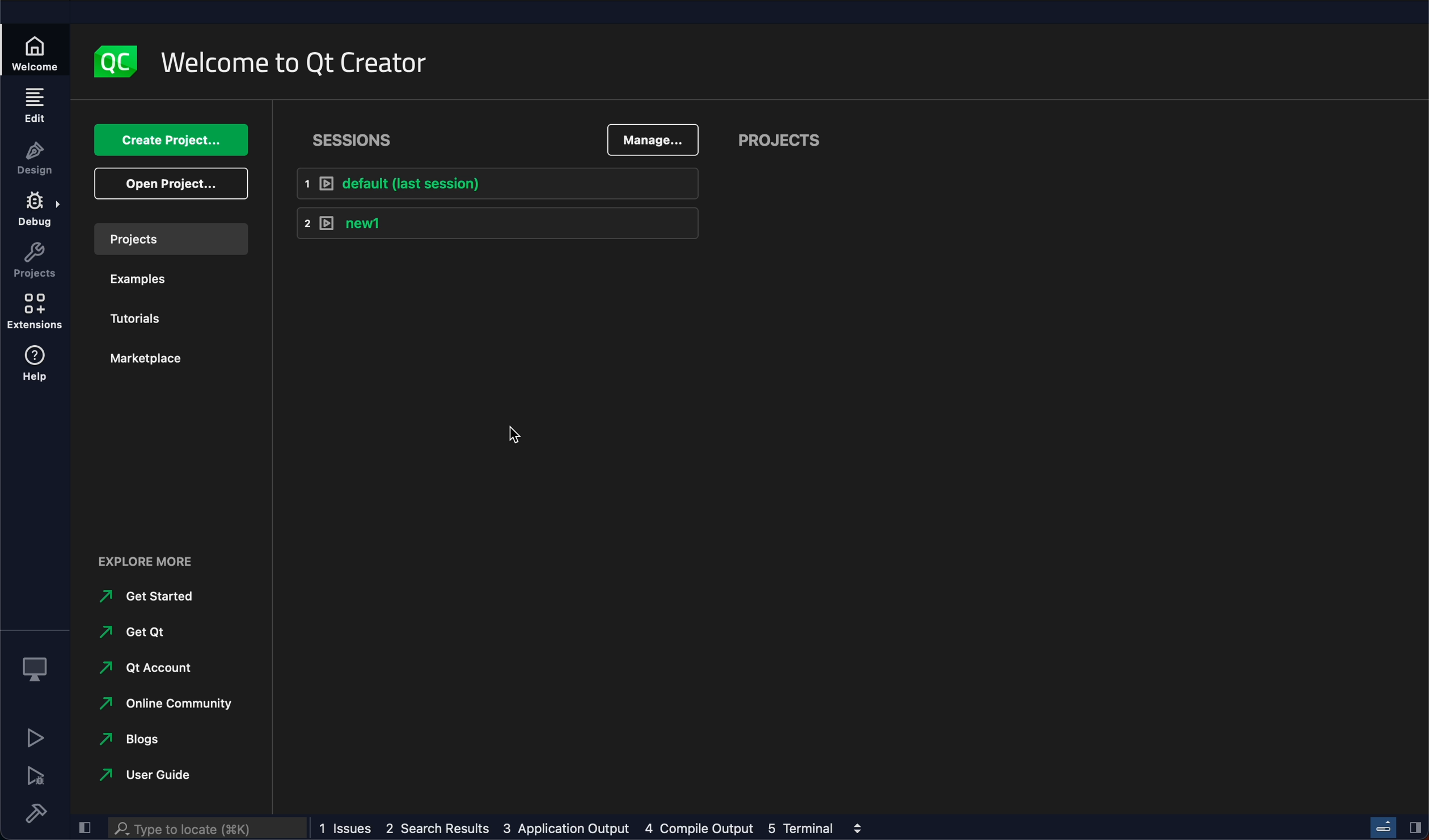  I want to click on help, so click(36, 366).